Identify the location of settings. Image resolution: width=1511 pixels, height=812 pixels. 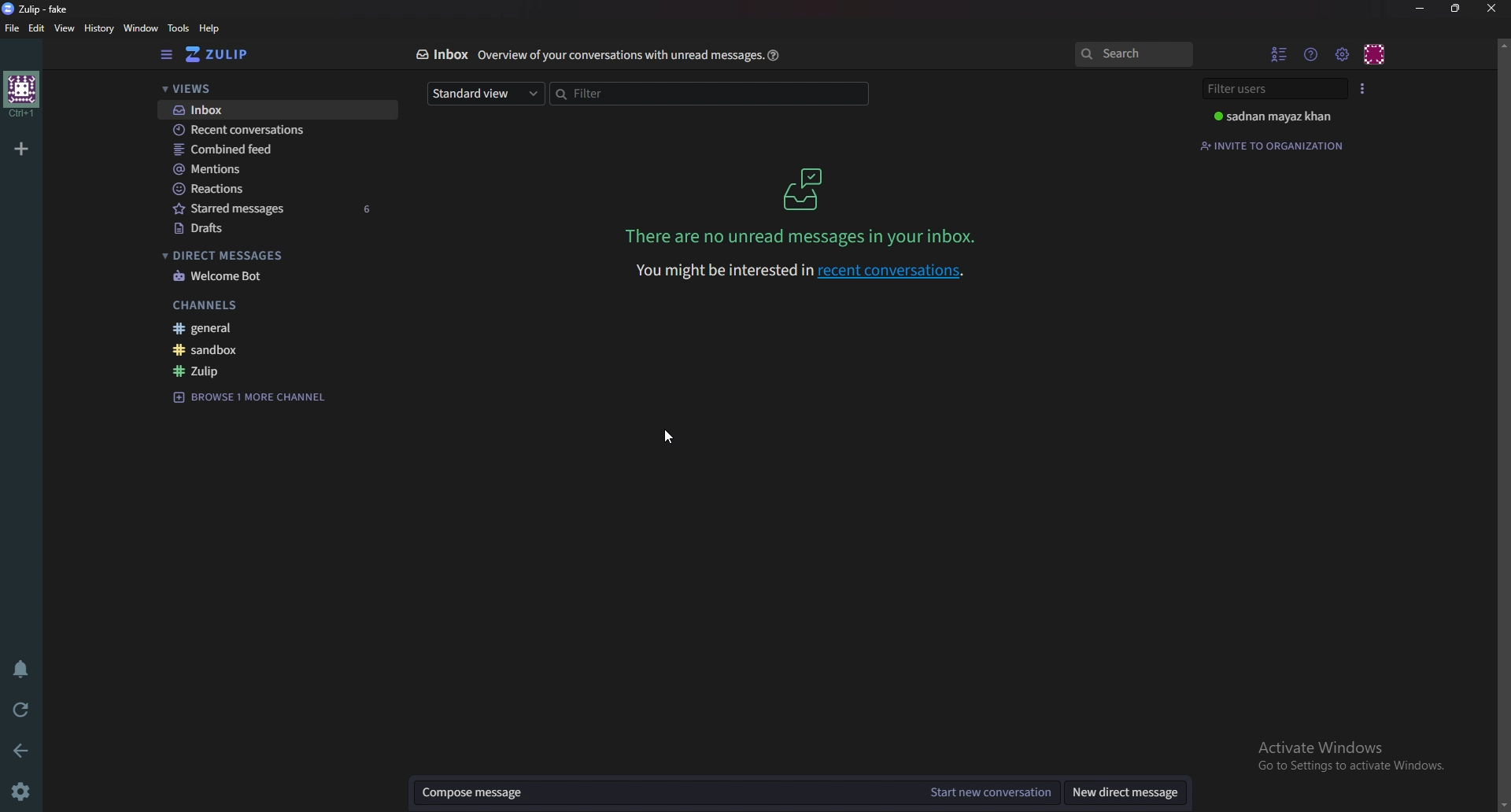
(19, 791).